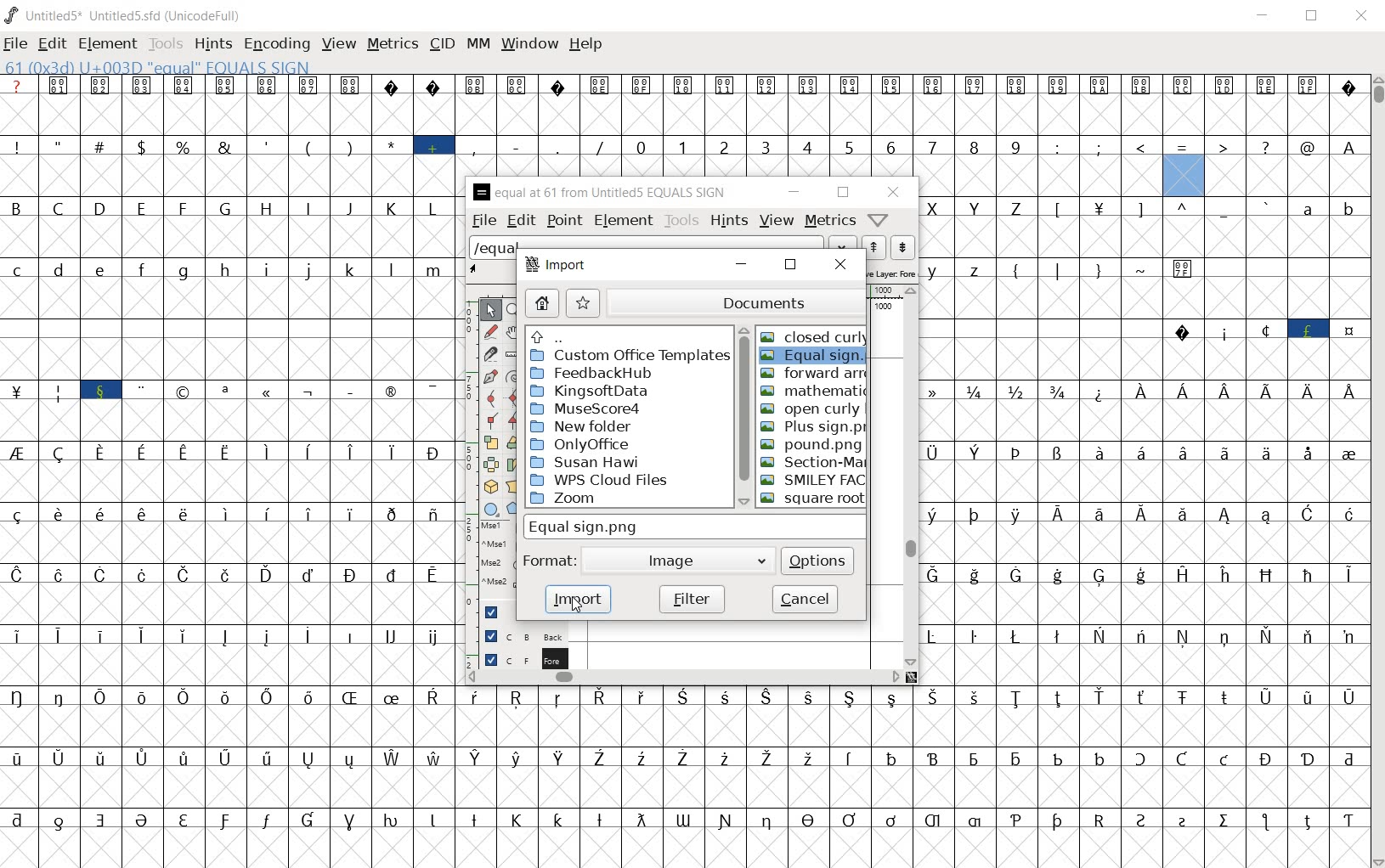 The width and height of the screenshot is (1385, 868). Describe the element at coordinates (812, 499) in the screenshot. I see `SQUARE ROOT` at that location.